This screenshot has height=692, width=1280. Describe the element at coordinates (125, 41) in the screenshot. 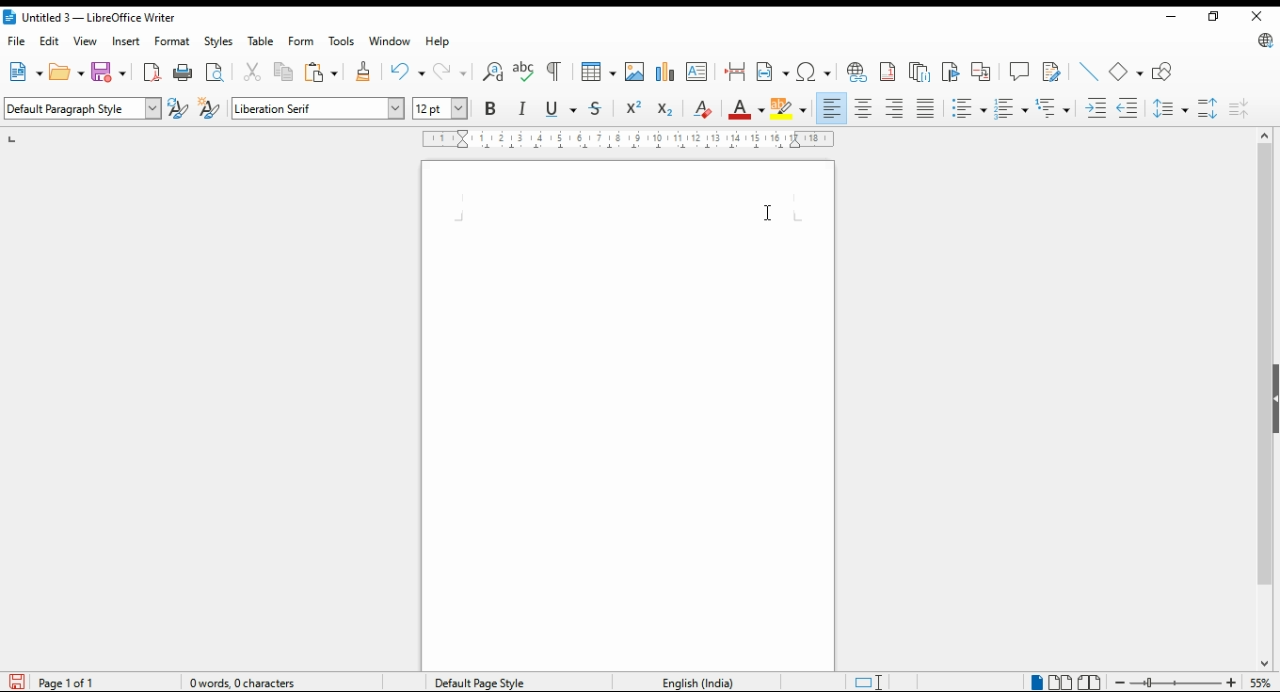

I see `insert` at that location.